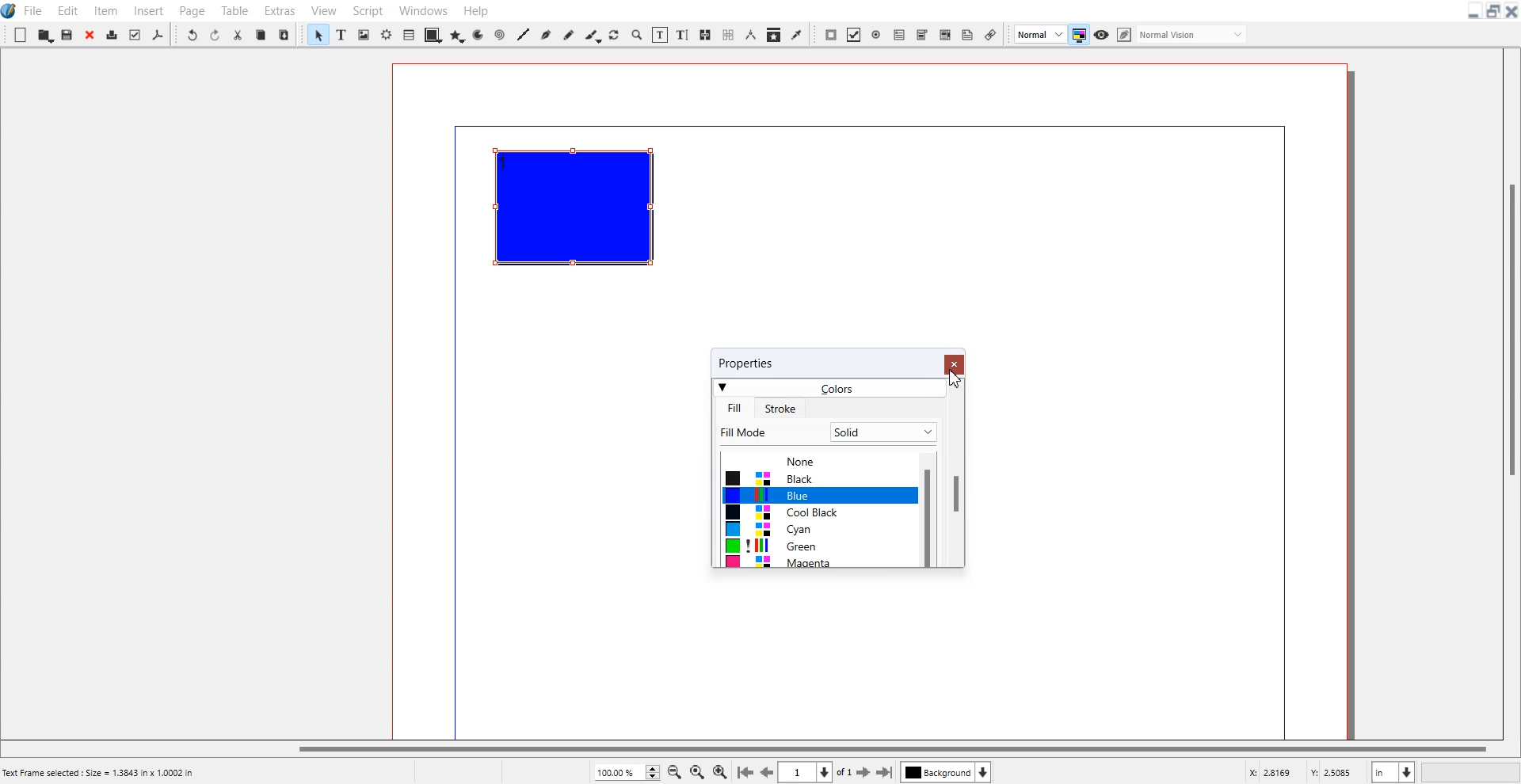  Describe the element at coordinates (546, 33) in the screenshot. I see `Bezier Curve` at that location.